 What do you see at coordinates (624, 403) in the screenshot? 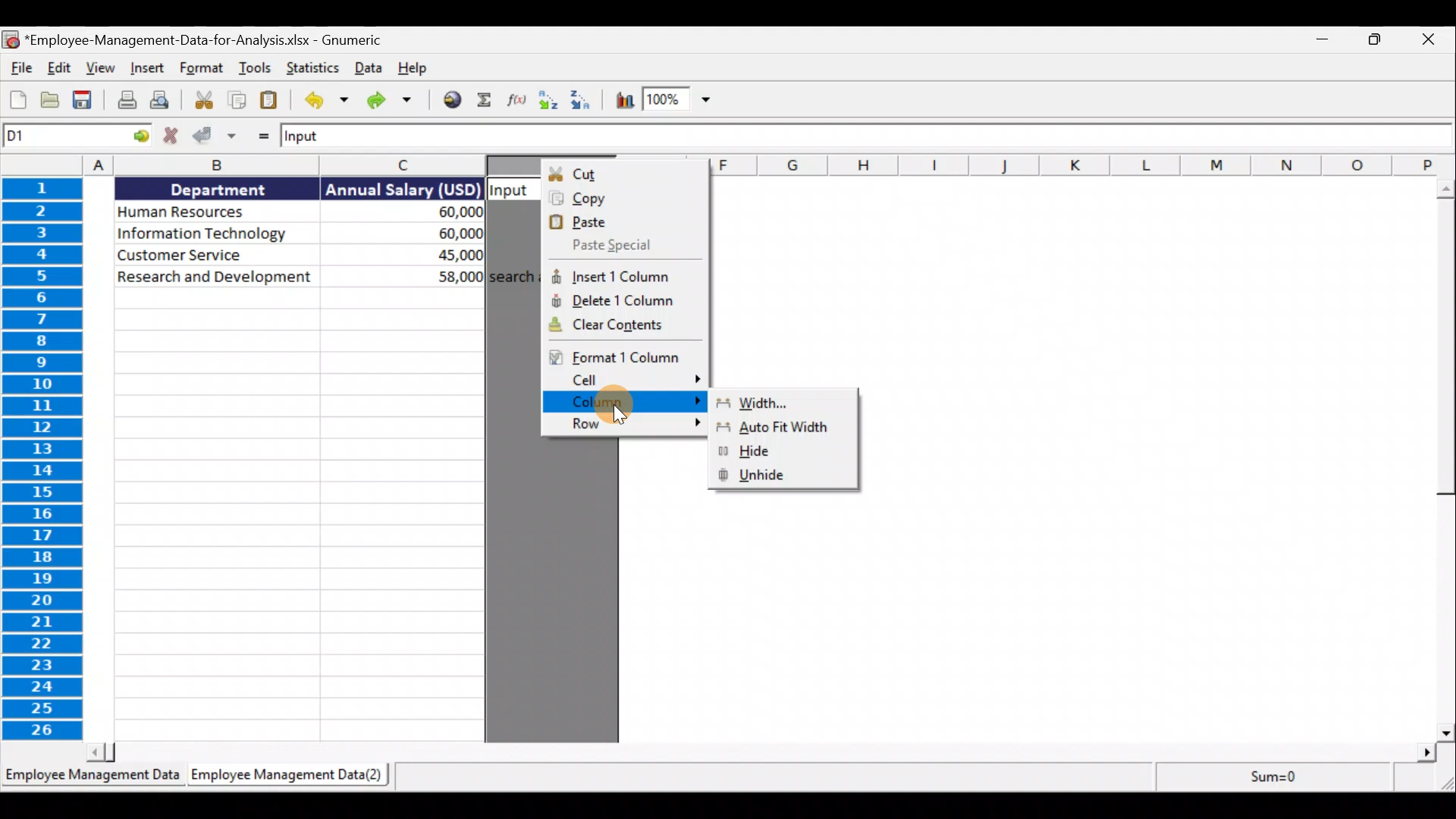
I see `Column` at bounding box center [624, 403].